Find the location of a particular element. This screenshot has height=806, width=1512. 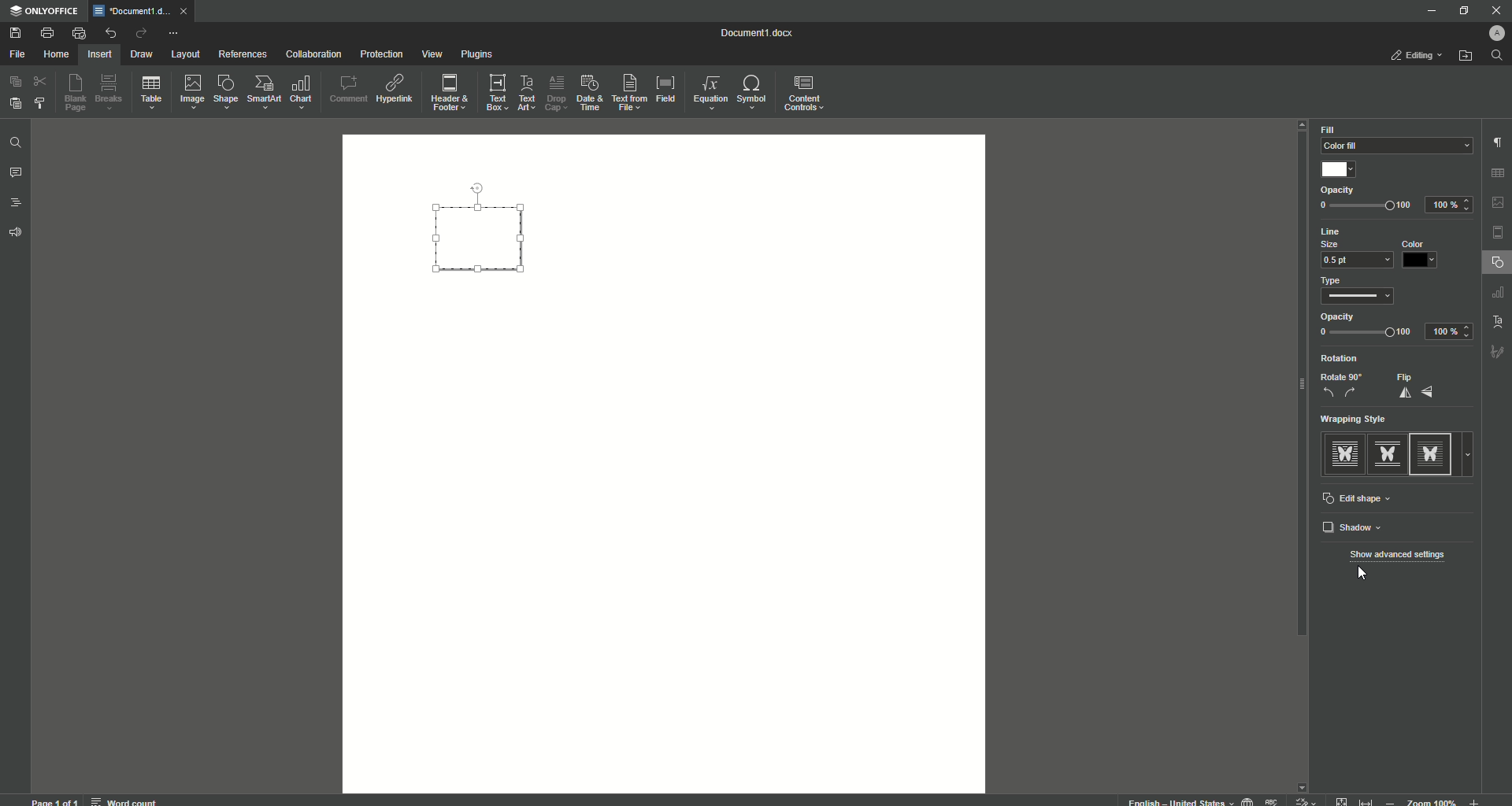

Undo is located at coordinates (109, 33).